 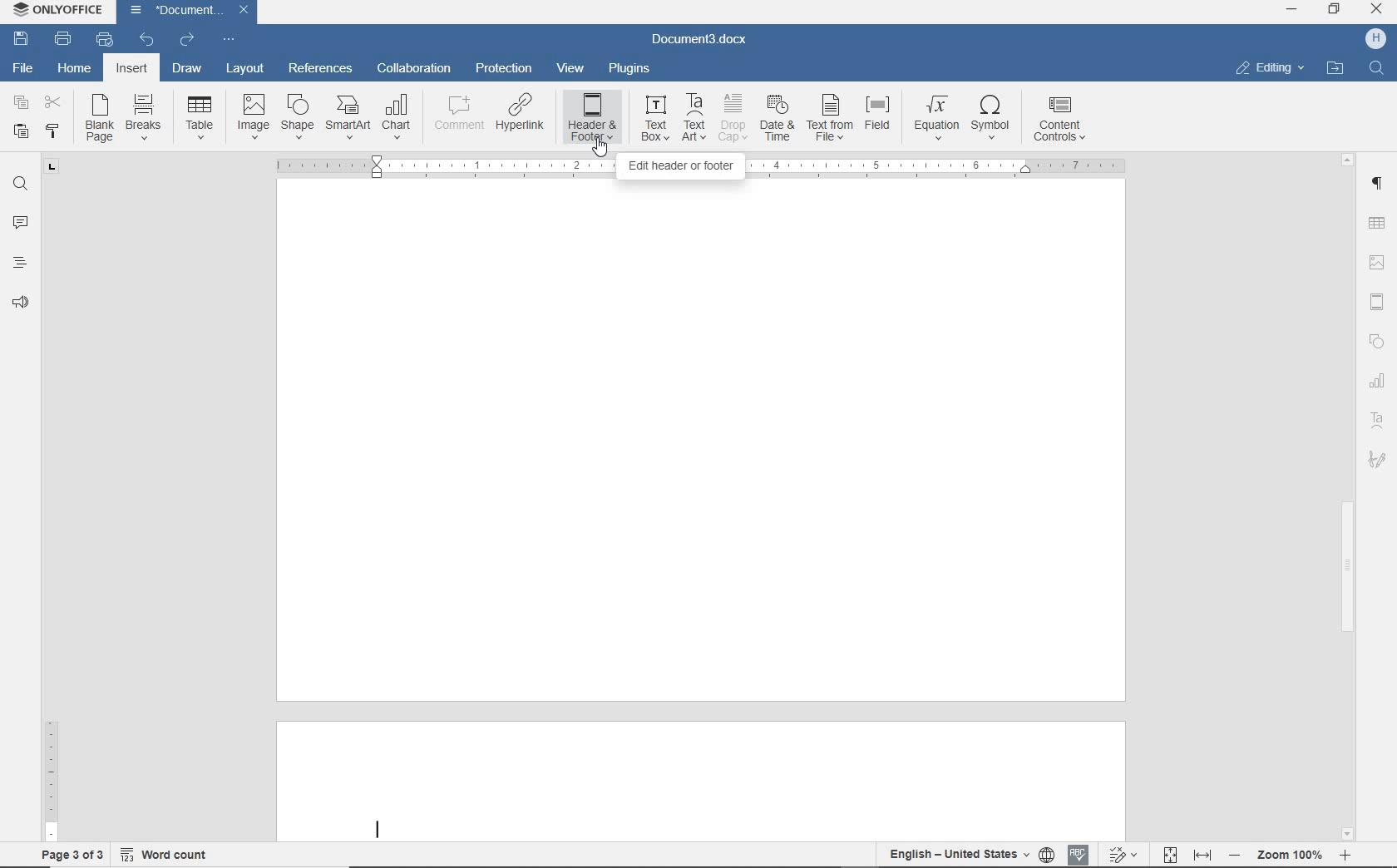 What do you see at coordinates (1120, 850) in the screenshot?
I see `Track changes` at bounding box center [1120, 850].